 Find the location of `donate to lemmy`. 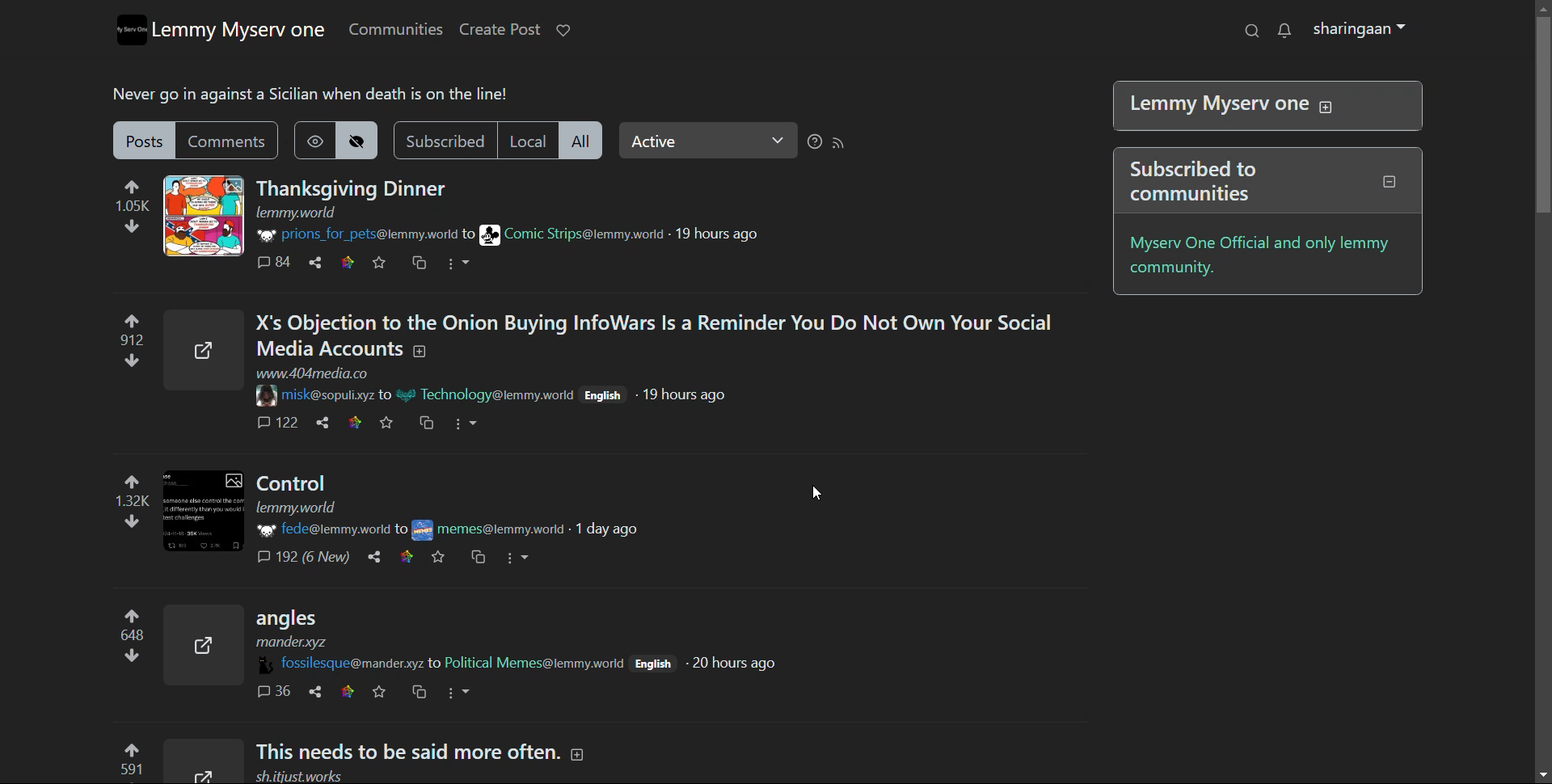

donate to lemmy is located at coordinates (563, 31).